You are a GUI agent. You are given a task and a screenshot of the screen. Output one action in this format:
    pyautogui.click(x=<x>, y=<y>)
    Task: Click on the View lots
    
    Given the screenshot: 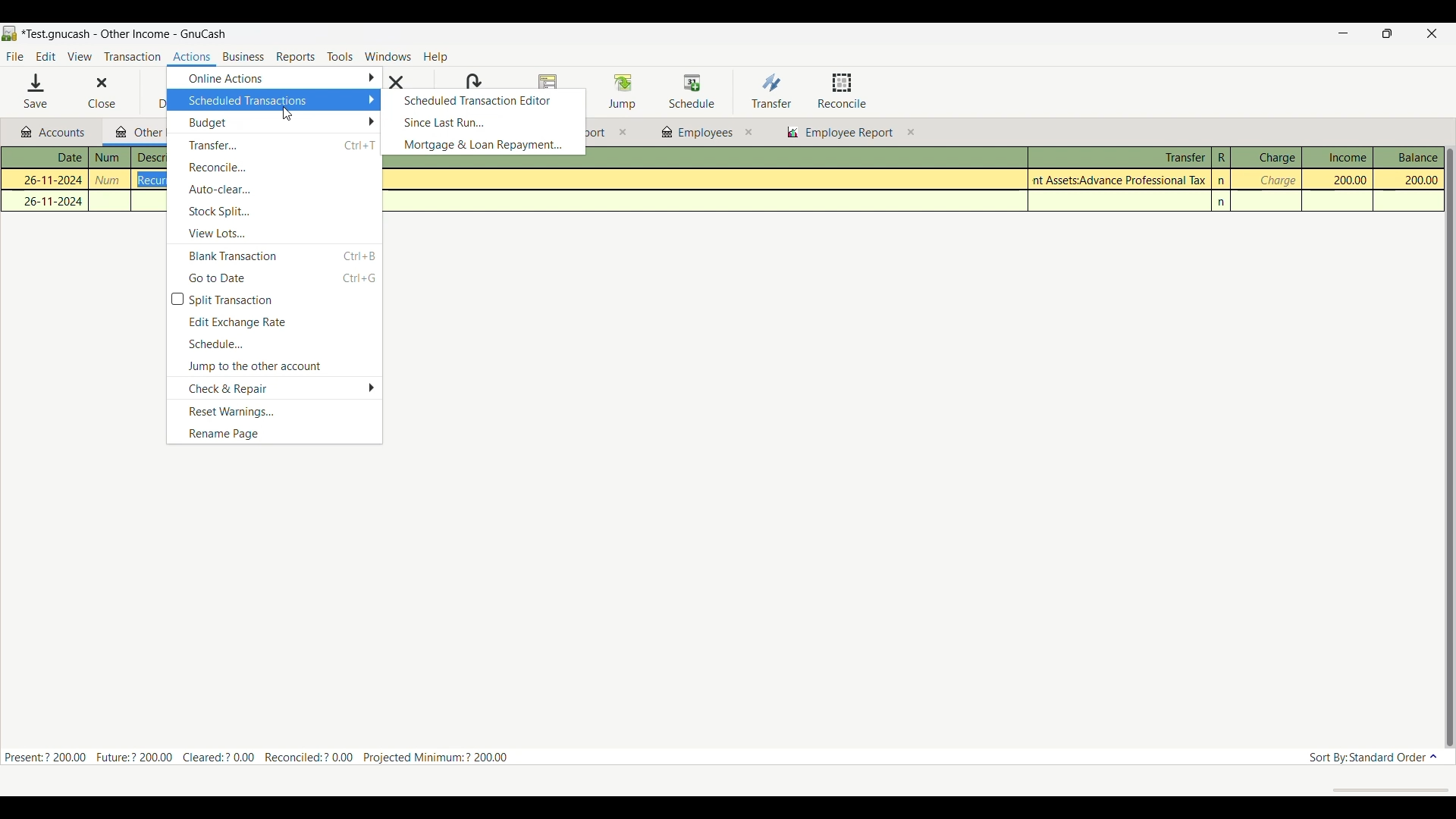 What is the action you would take?
    pyautogui.click(x=275, y=233)
    